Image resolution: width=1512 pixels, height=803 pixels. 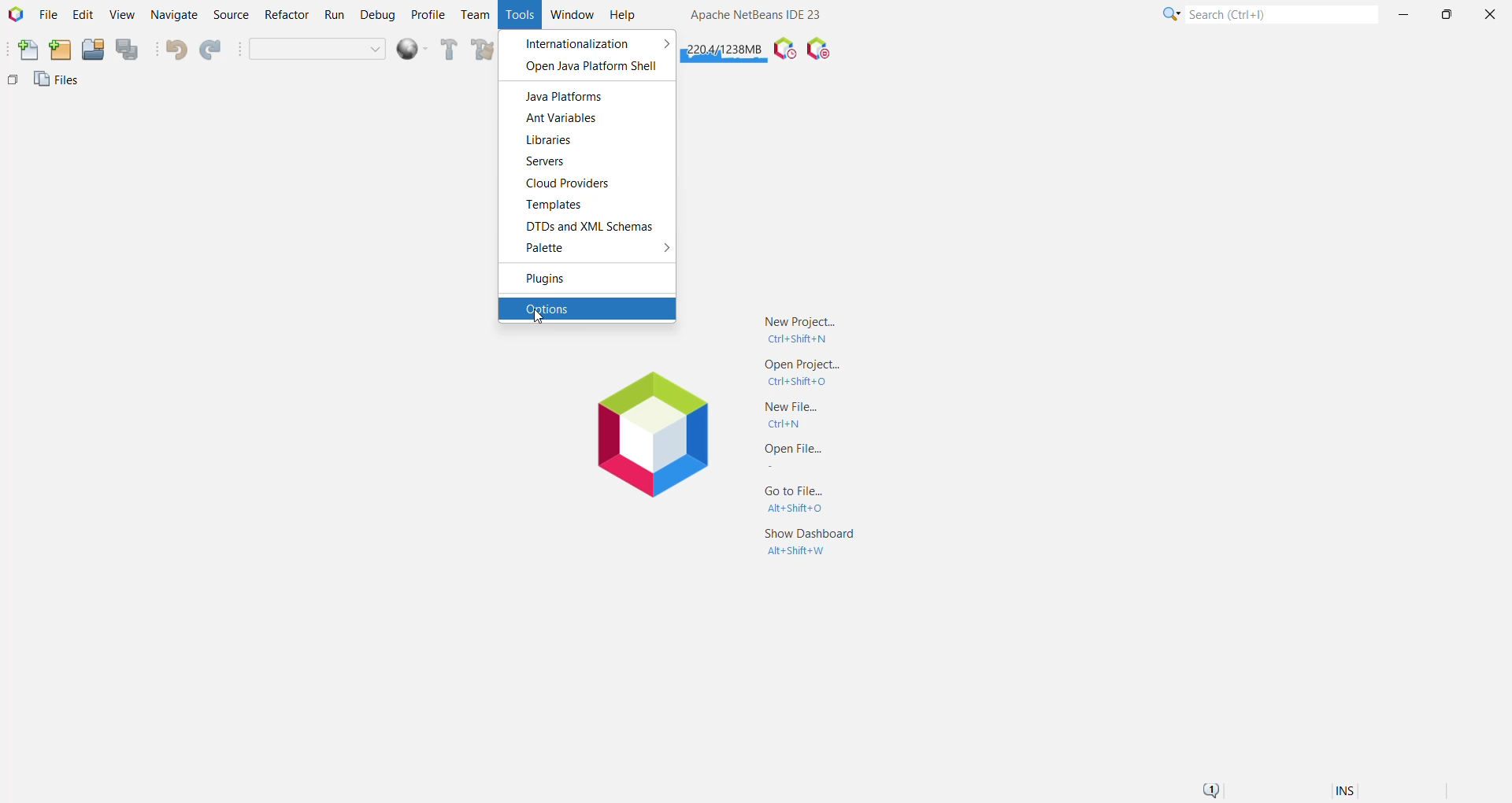 What do you see at coordinates (548, 279) in the screenshot?
I see `Plugins` at bounding box center [548, 279].